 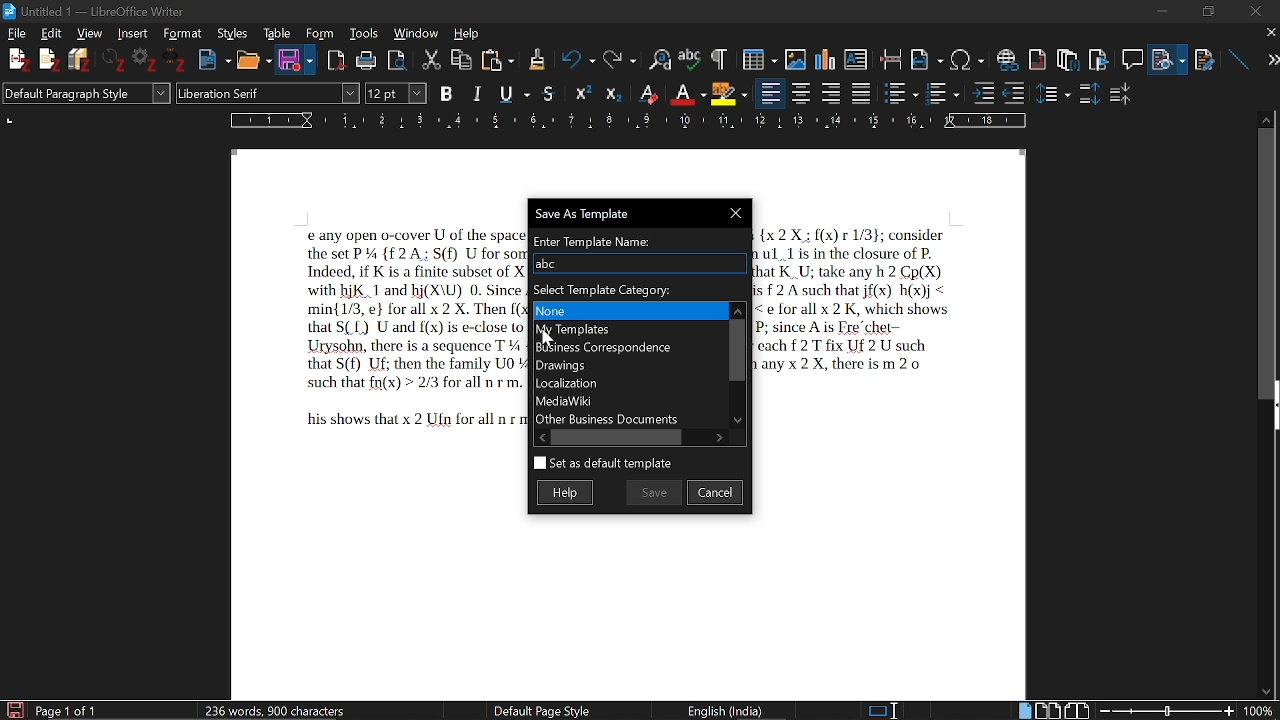 What do you see at coordinates (617, 58) in the screenshot?
I see `Redo` at bounding box center [617, 58].